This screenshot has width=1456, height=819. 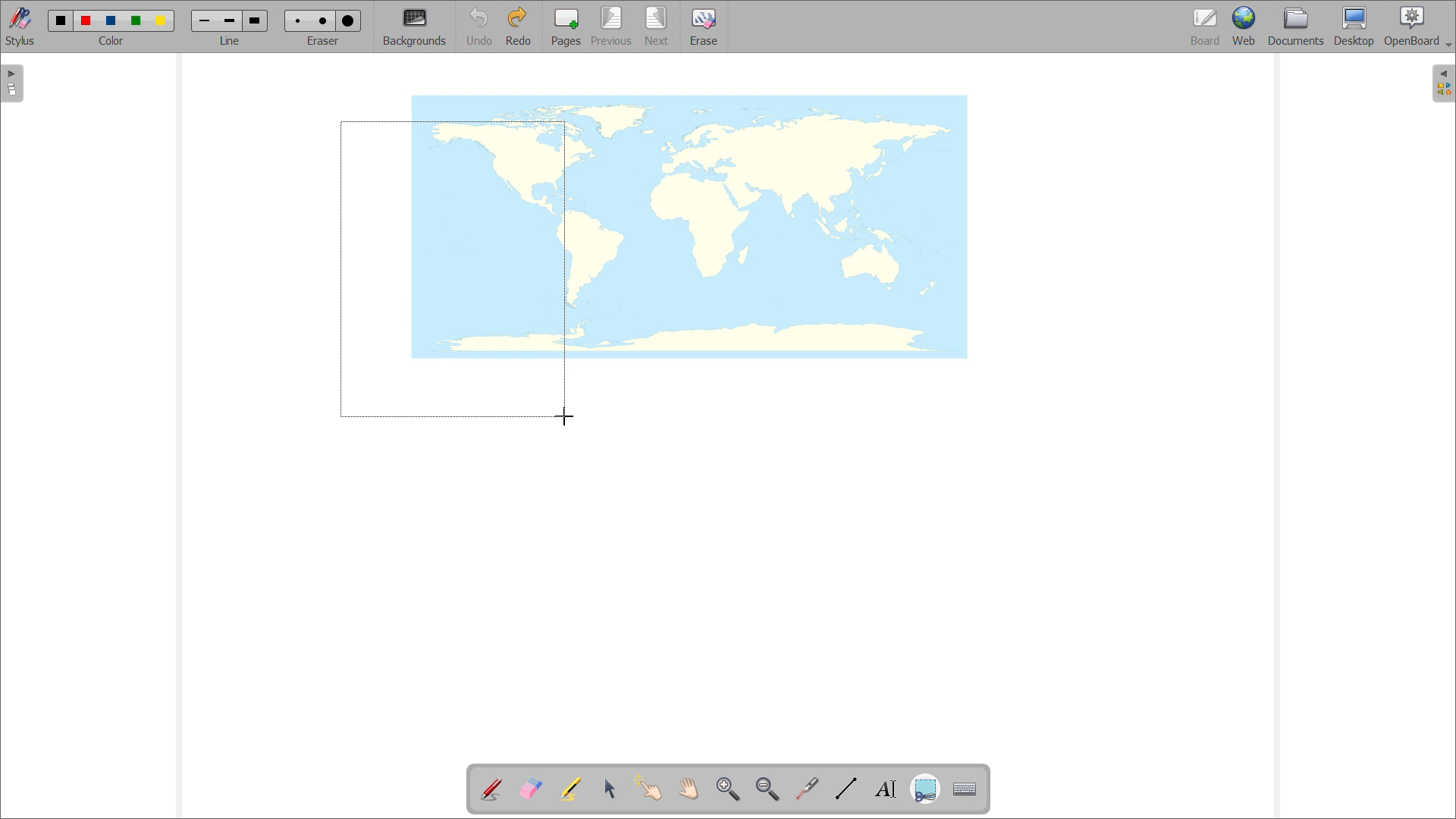 What do you see at coordinates (61, 19) in the screenshot?
I see `black` at bounding box center [61, 19].